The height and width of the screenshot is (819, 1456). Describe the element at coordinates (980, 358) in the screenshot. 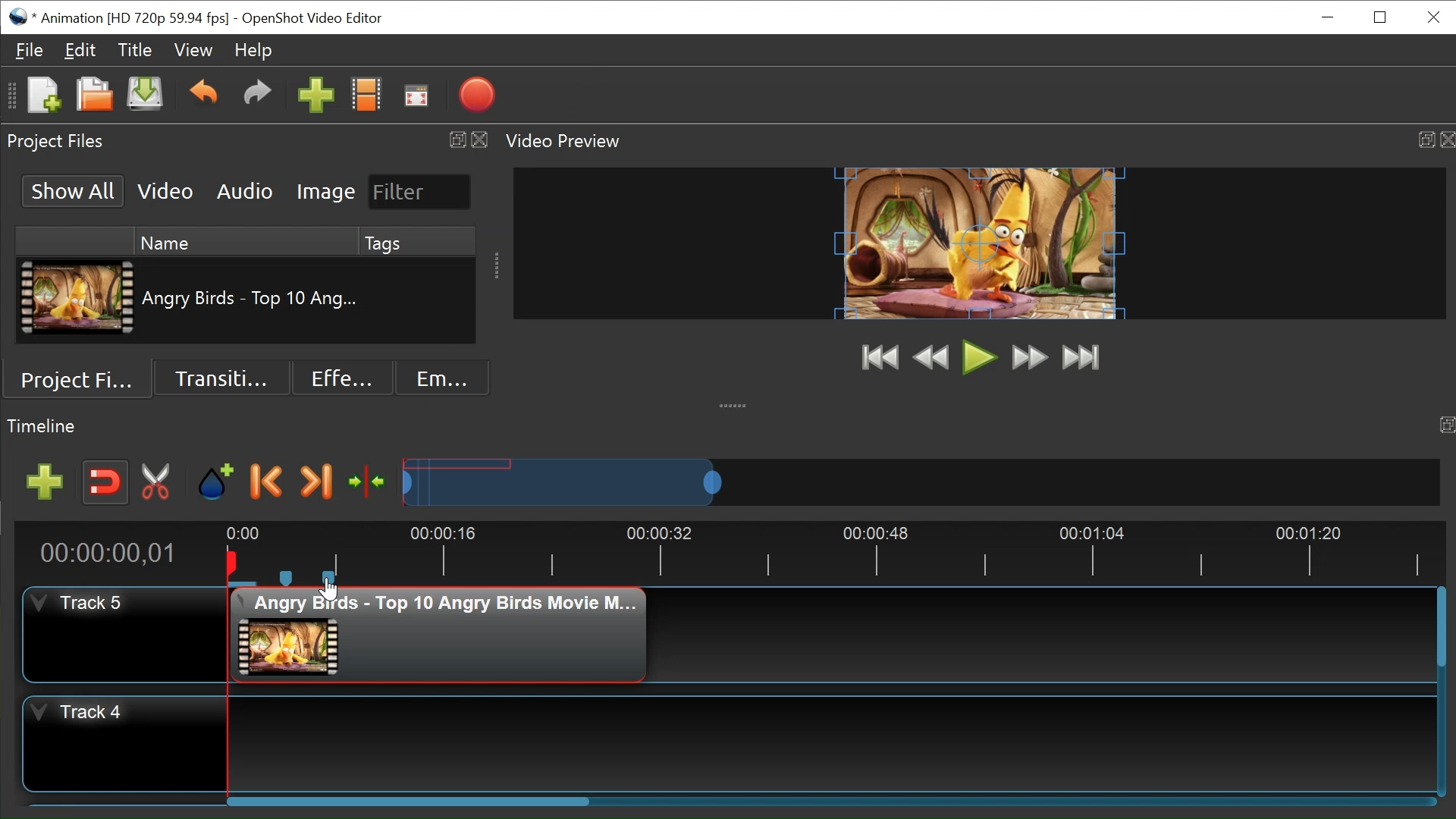

I see `Toggle Pay or pause` at that location.